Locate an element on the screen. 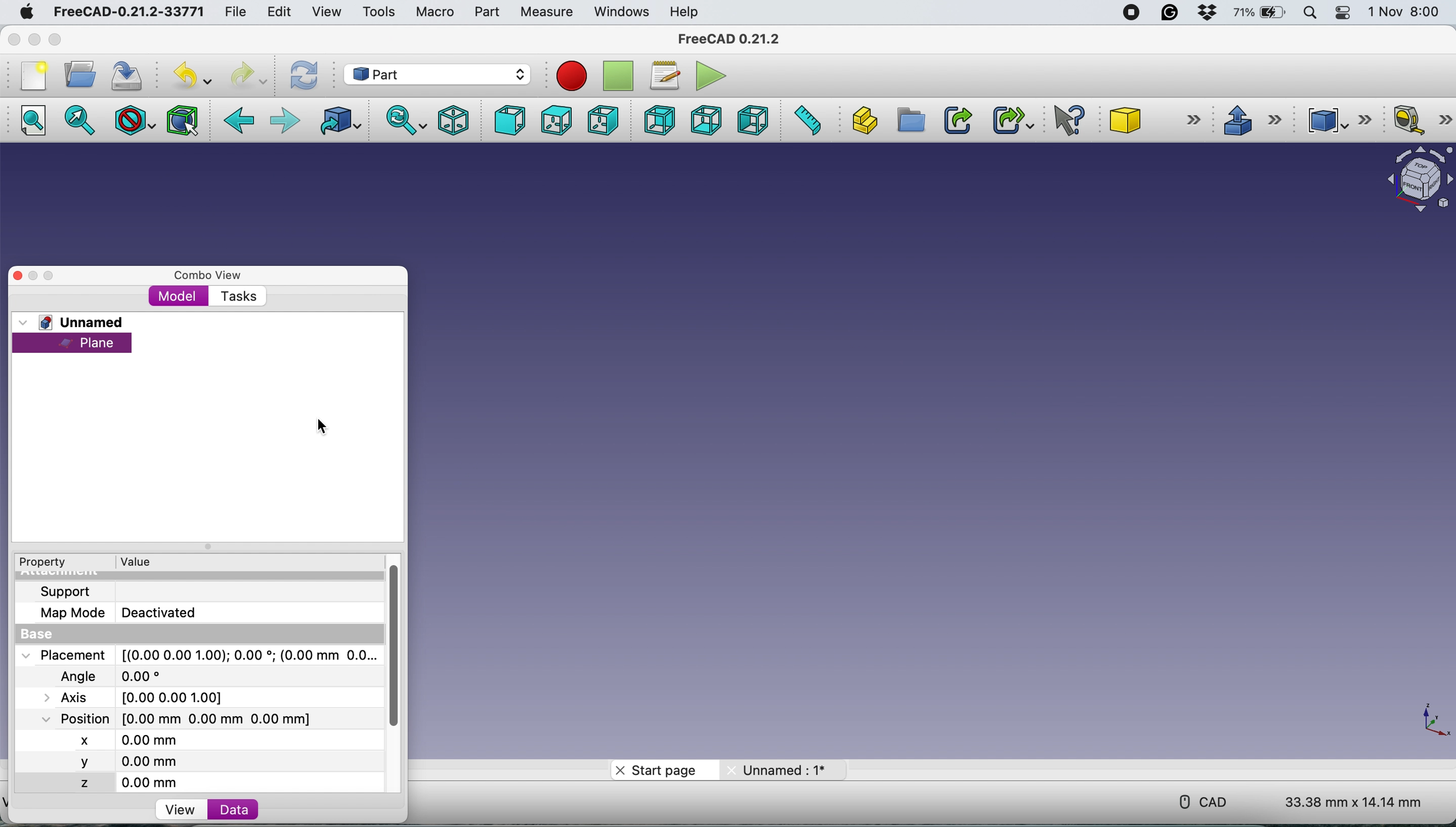 The width and height of the screenshot is (1456, 827). FreeCAD 0.21.2 is located at coordinates (735, 40).